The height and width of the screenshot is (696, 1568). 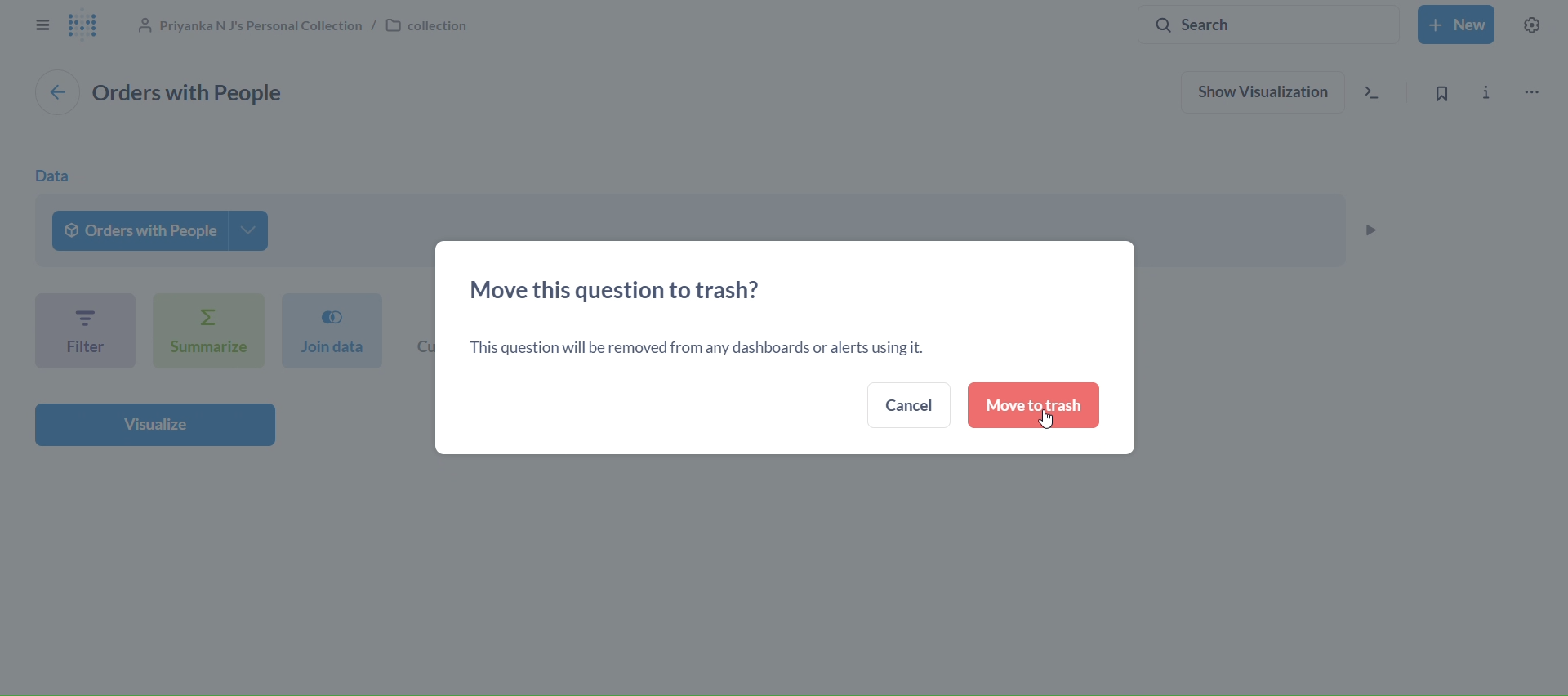 I want to click on logo, so click(x=89, y=28).